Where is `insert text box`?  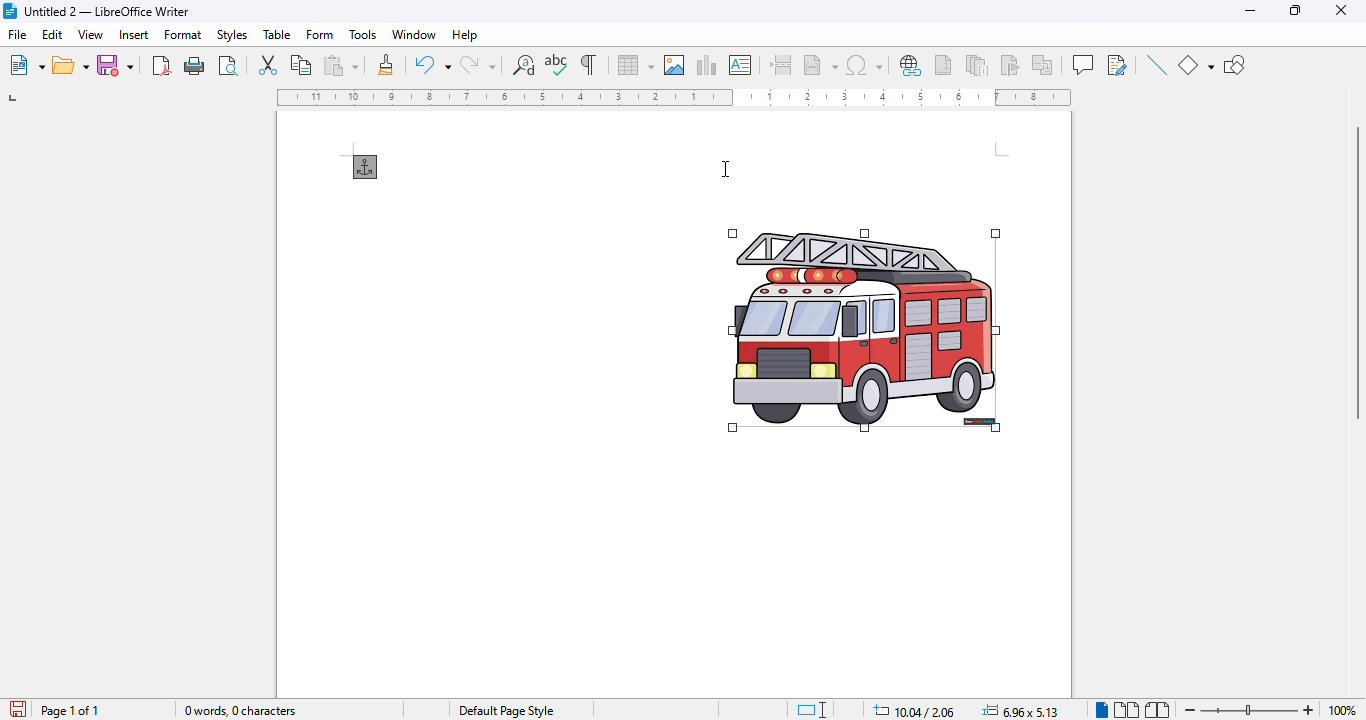 insert text box is located at coordinates (741, 65).